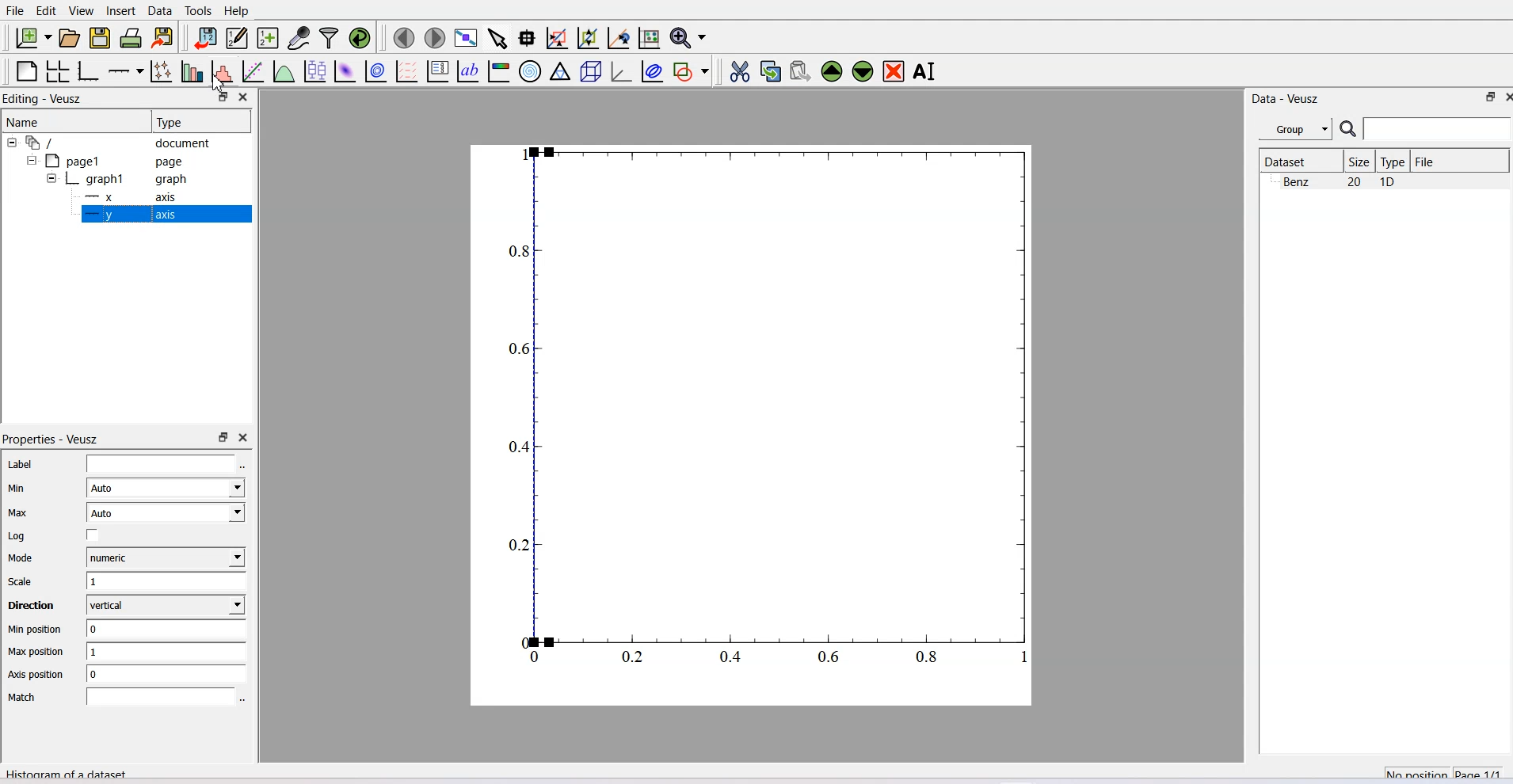  What do you see at coordinates (236, 11) in the screenshot?
I see `Help` at bounding box center [236, 11].